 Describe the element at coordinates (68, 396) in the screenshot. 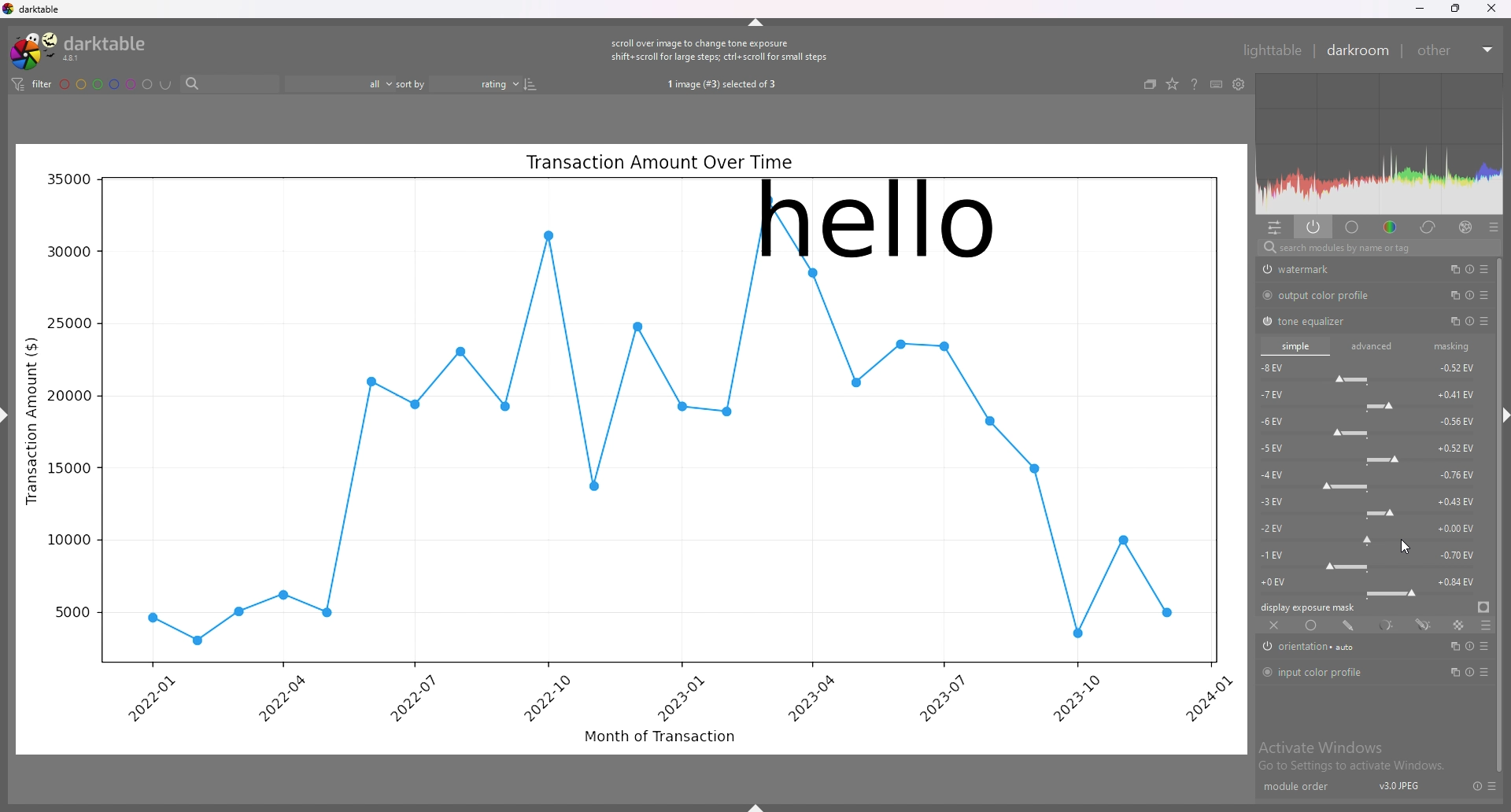

I see `20000` at that location.